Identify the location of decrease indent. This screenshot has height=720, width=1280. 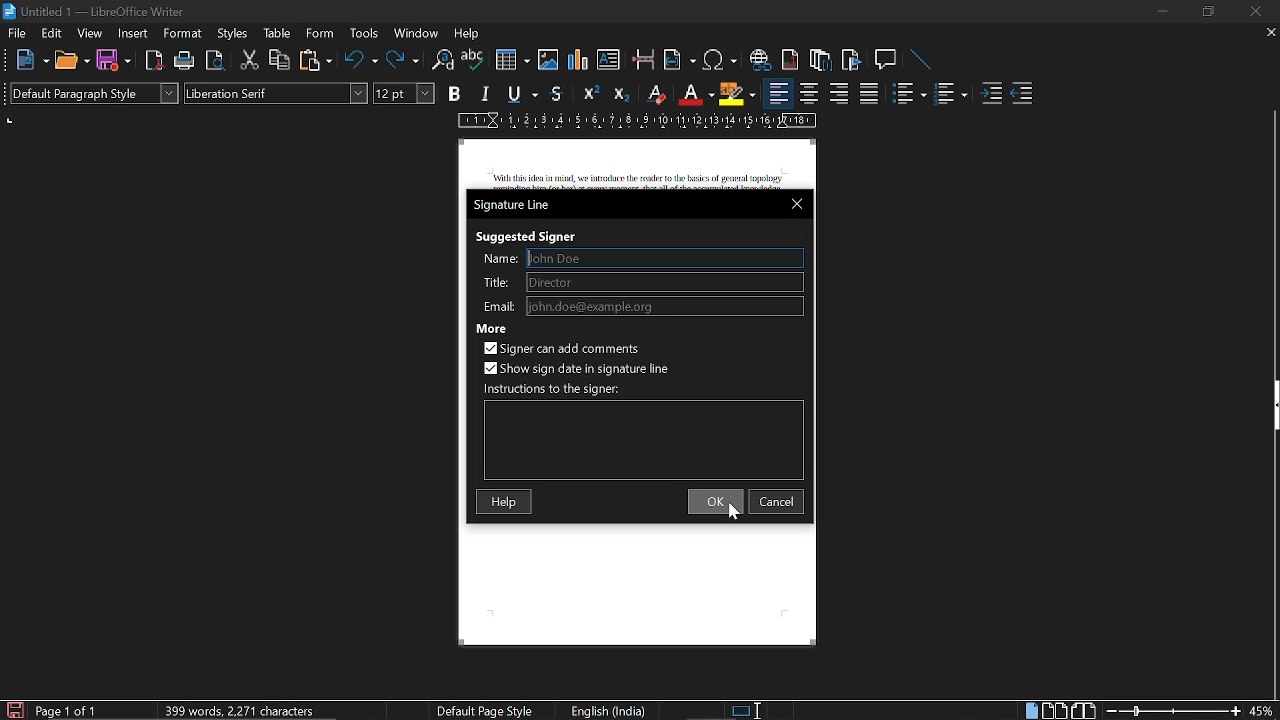
(1024, 94).